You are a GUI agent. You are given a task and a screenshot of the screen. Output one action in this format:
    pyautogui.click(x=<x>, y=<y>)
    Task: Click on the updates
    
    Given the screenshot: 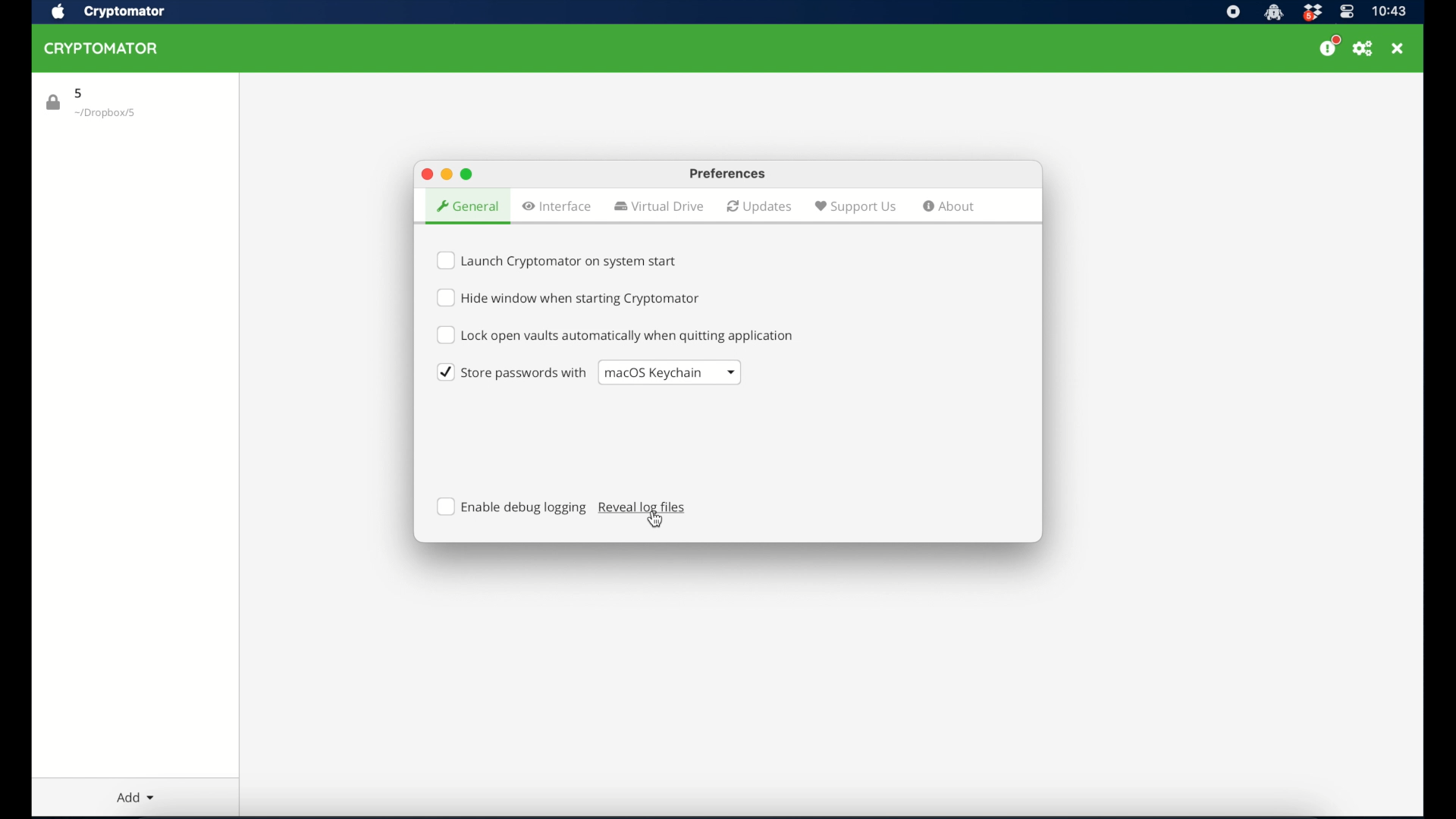 What is the action you would take?
    pyautogui.click(x=760, y=207)
    